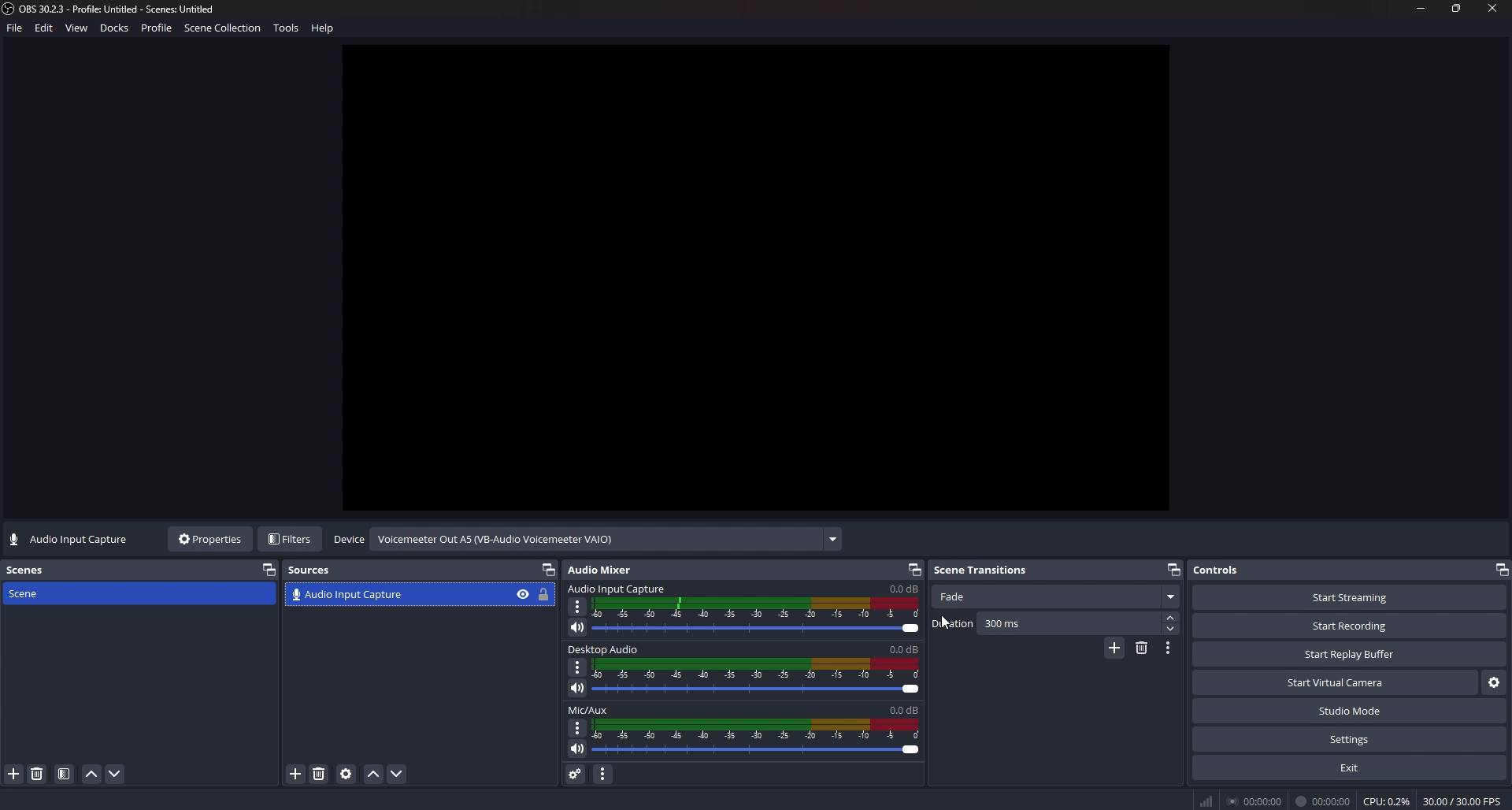 This screenshot has height=810, width=1512. Describe the element at coordinates (292, 539) in the screenshot. I see `filters` at that location.